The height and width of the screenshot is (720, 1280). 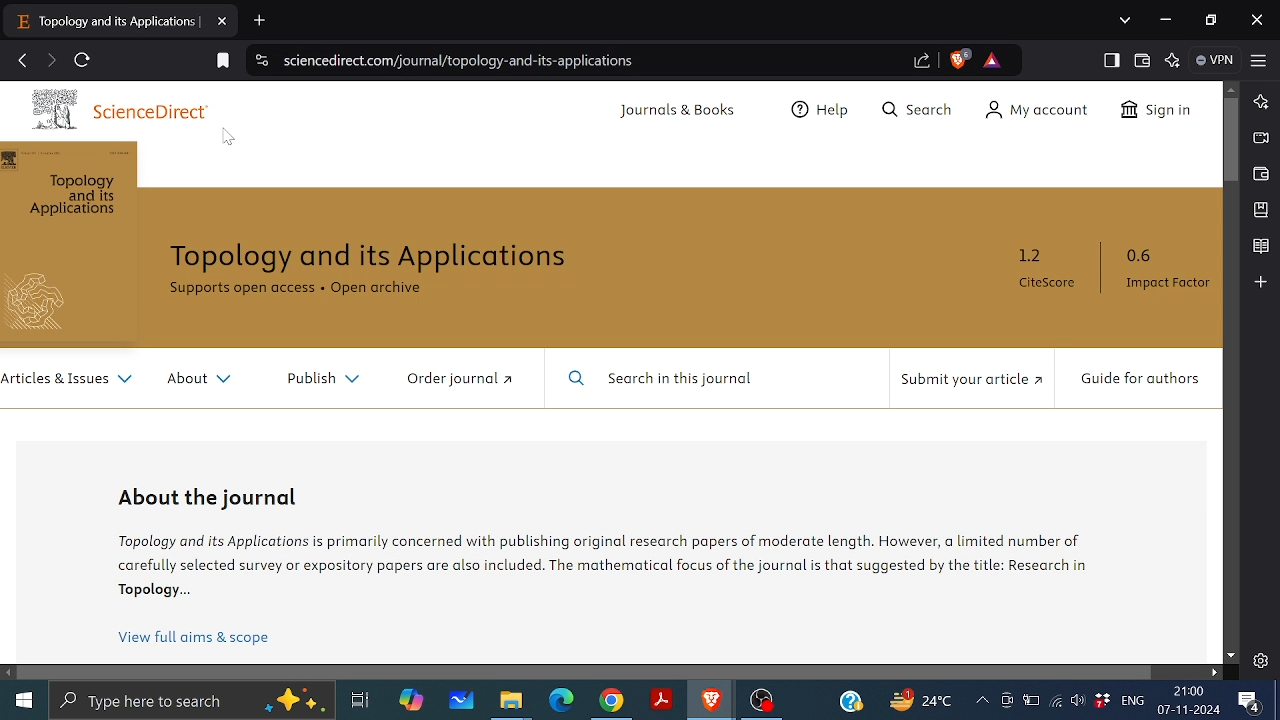 What do you see at coordinates (1229, 140) in the screenshot?
I see `Vertical scrollbar` at bounding box center [1229, 140].